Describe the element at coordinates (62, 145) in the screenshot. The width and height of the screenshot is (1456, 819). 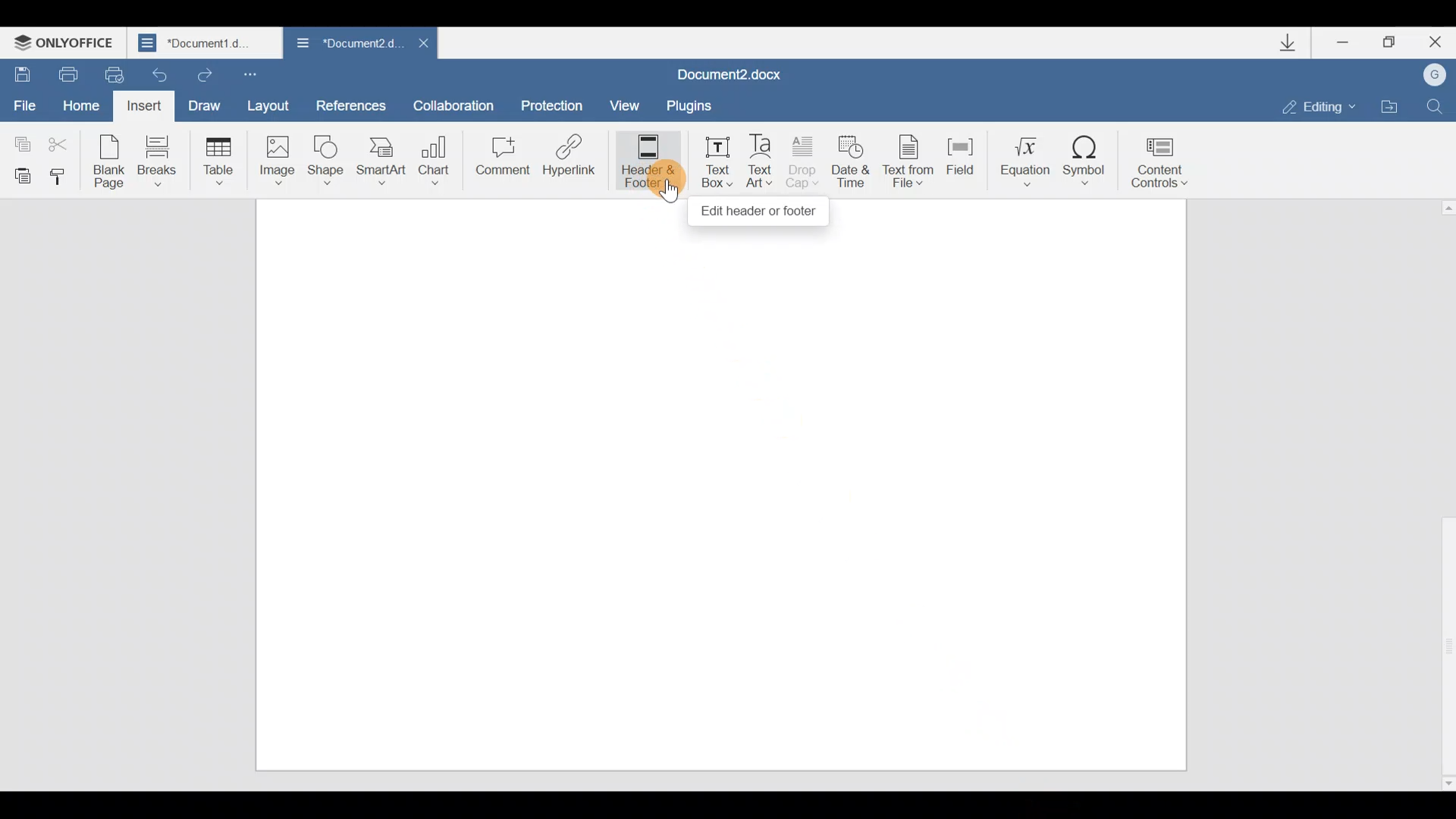
I see `Cut` at that location.